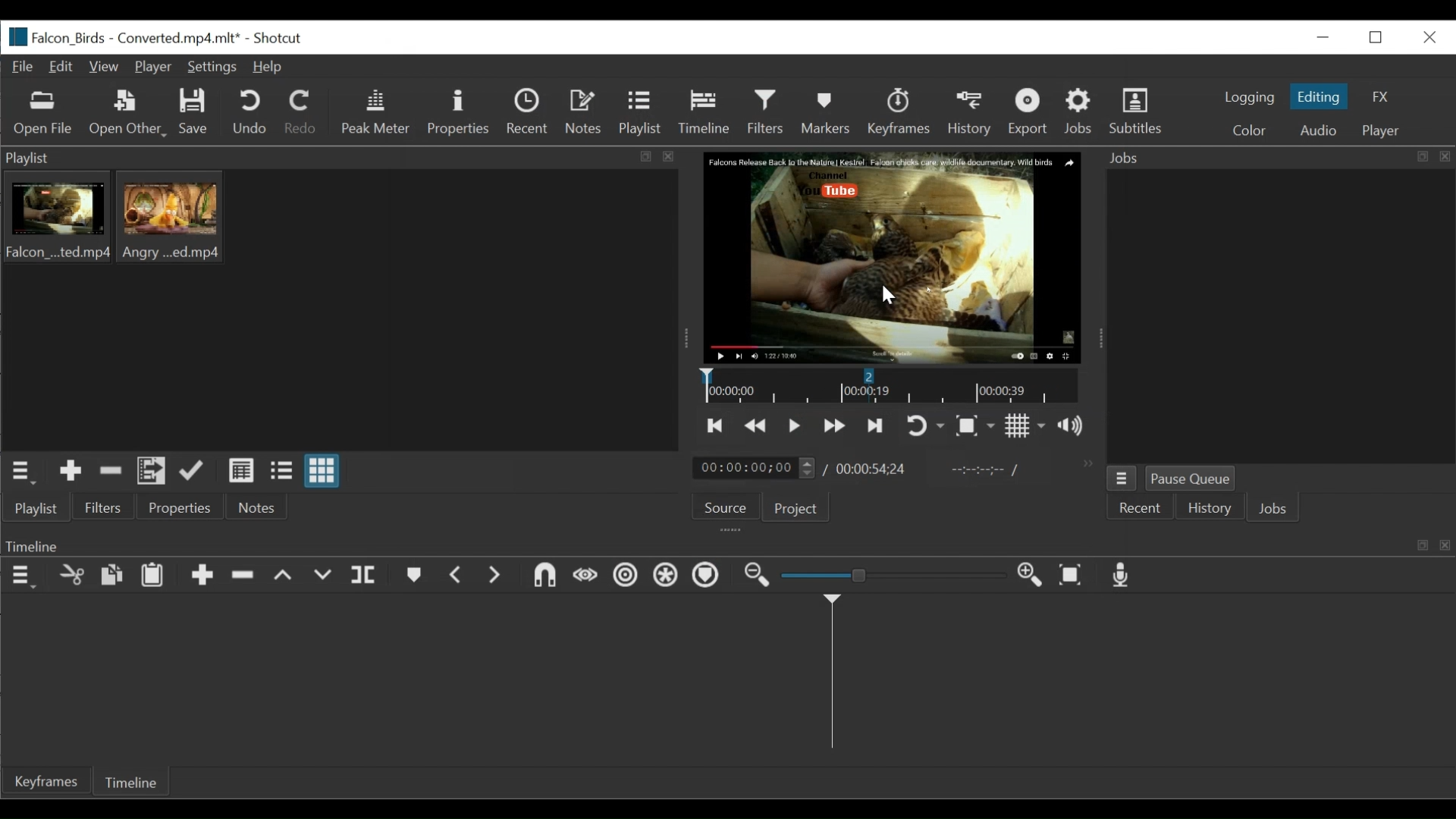 The height and width of the screenshot is (819, 1456). I want to click on Split at playhead, so click(366, 576).